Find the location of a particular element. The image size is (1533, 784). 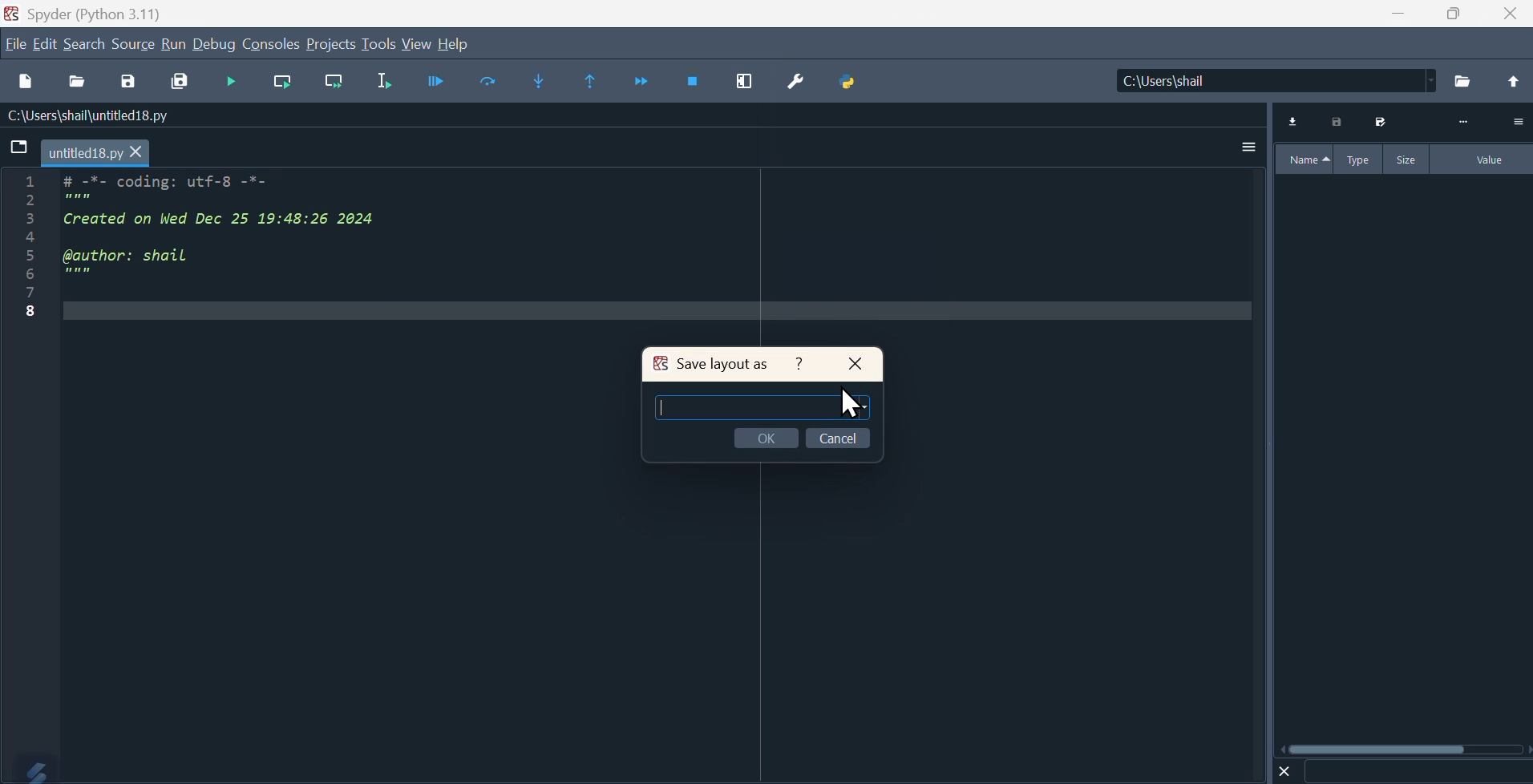

Print is located at coordinates (1338, 122).